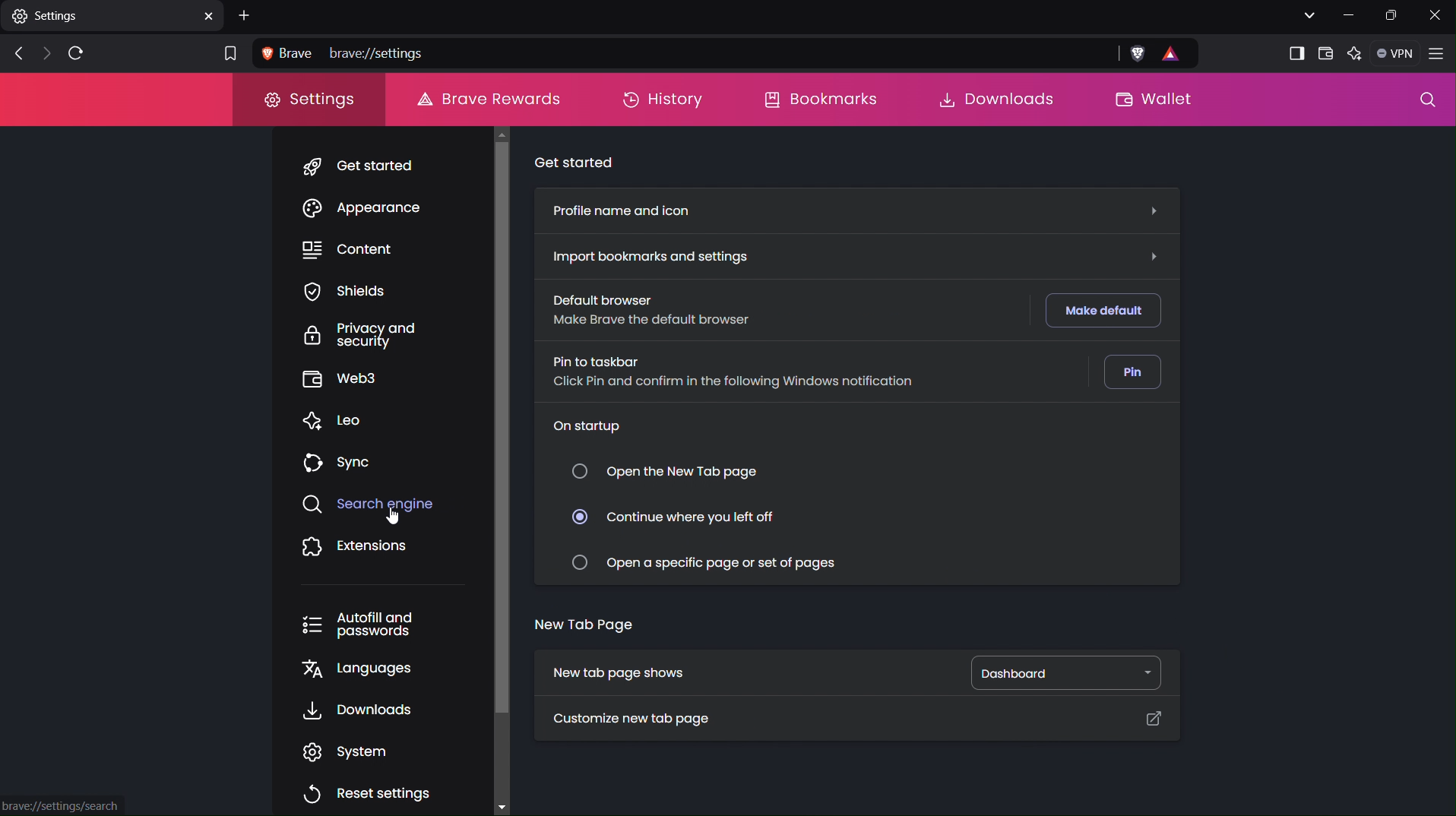 The image size is (1456, 816). I want to click on Open the new Tab page, so click(666, 470).